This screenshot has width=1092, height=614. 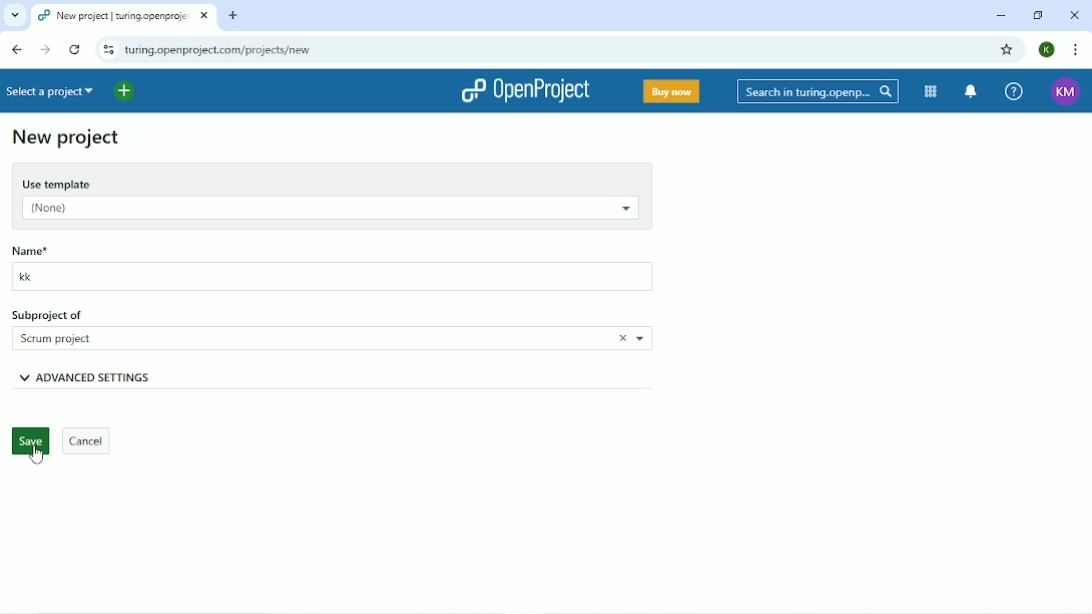 I want to click on Cursor, so click(x=36, y=453).